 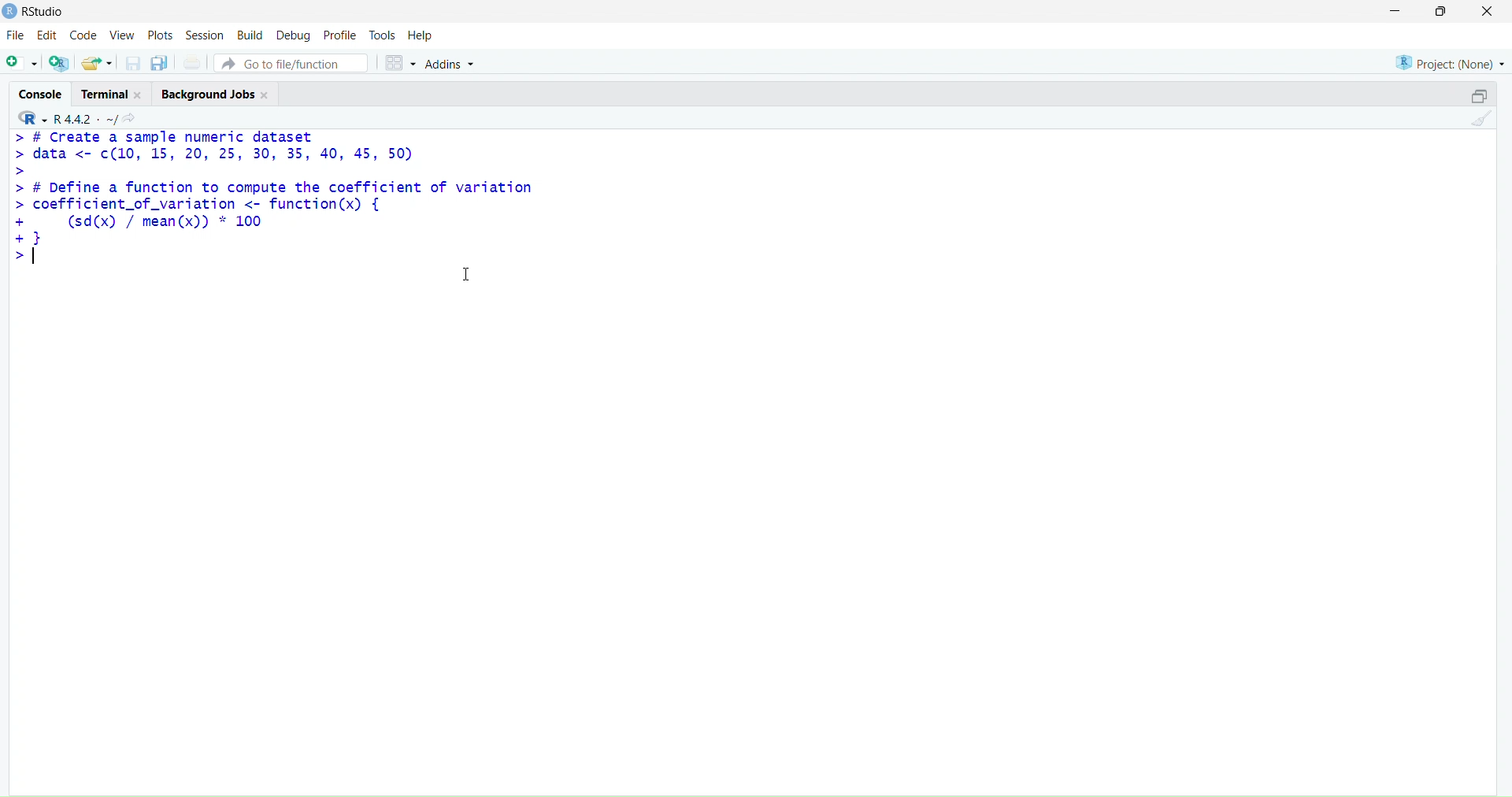 What do you see at coordinates (384, 34) in the screenshot?
I see `tools` at bounding box center [384, 34].